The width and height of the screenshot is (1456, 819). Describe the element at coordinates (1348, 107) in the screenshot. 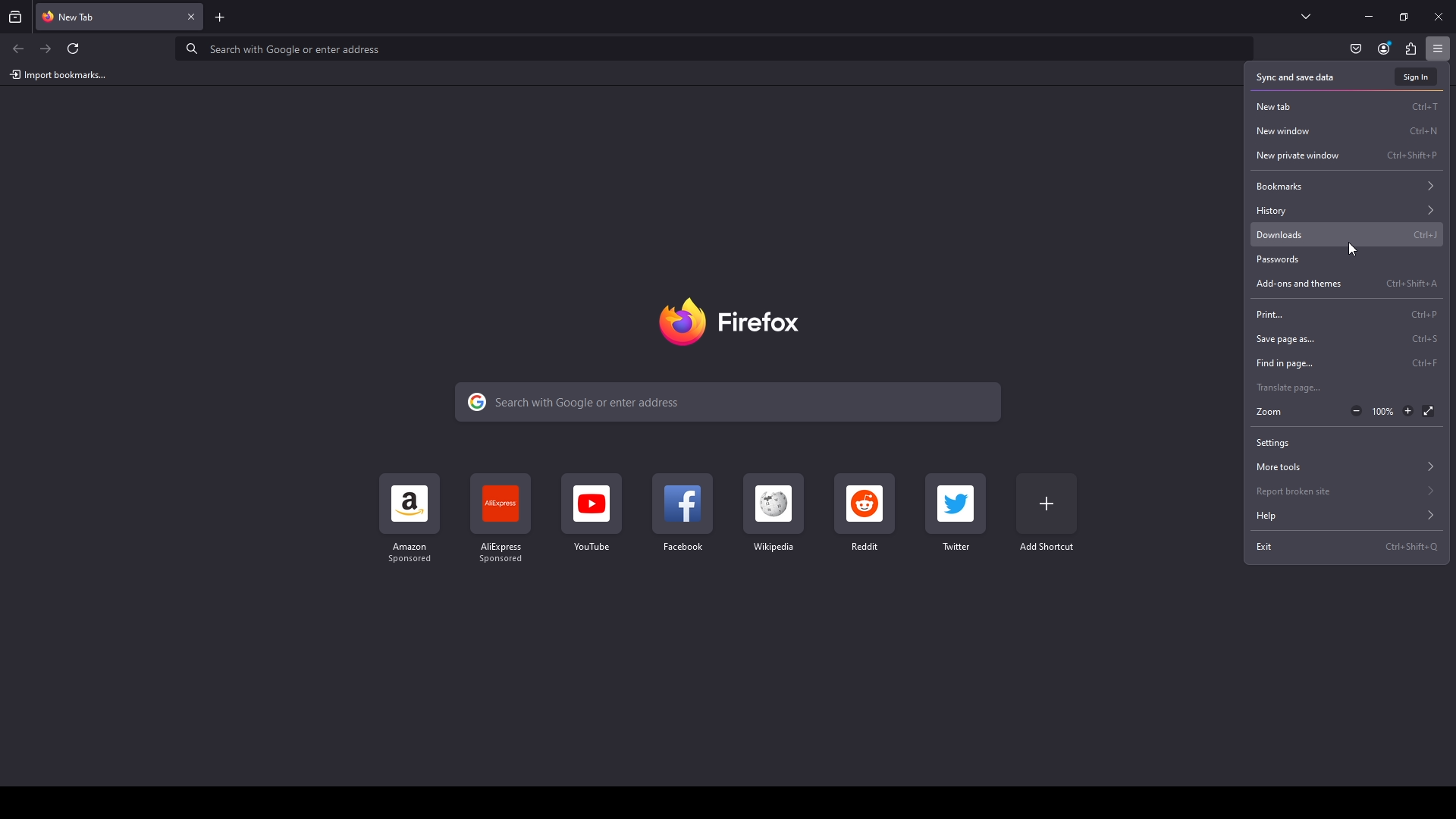

I see `New tab` at that location.